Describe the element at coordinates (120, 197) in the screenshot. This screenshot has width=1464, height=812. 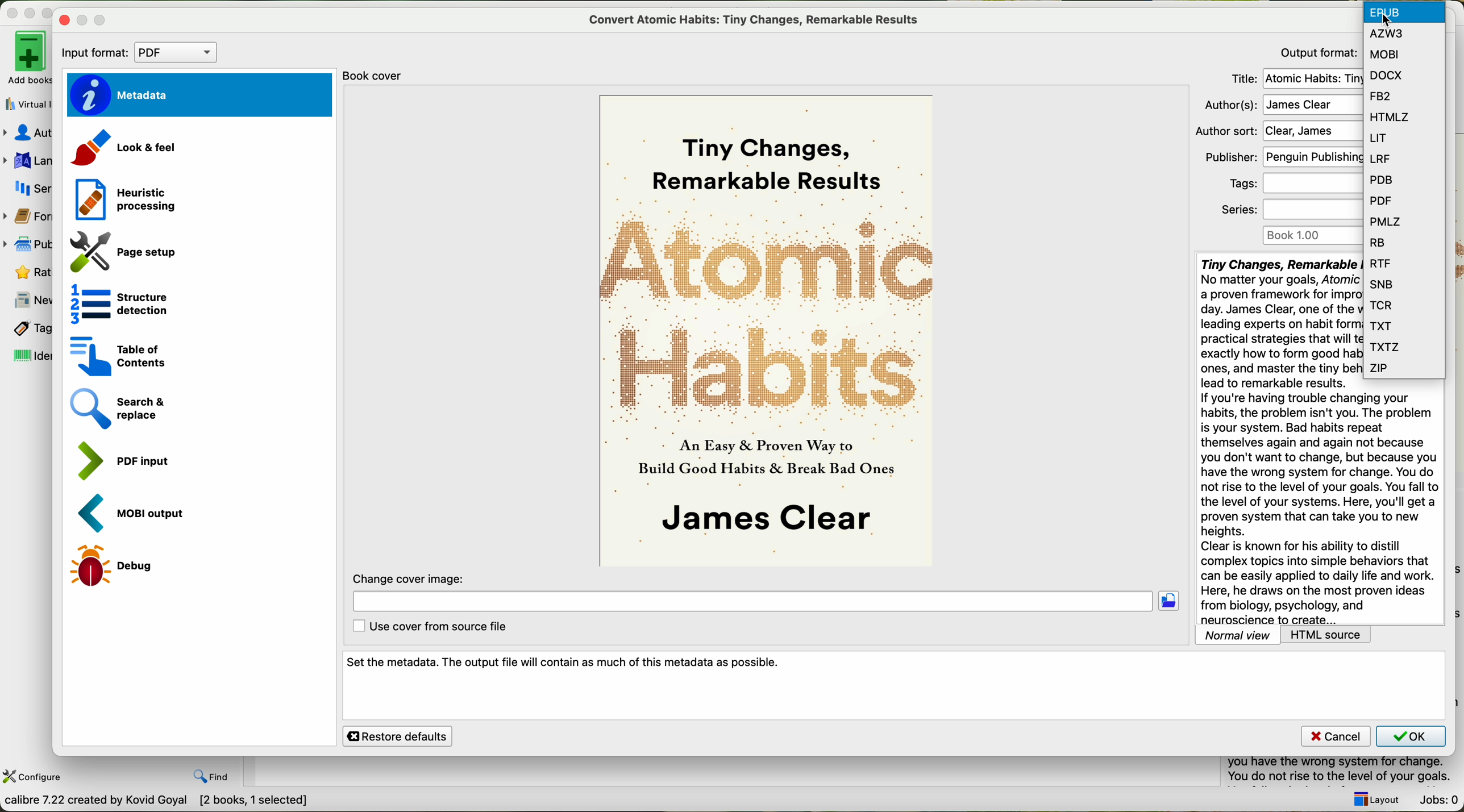
I see `heuristic processing` at that location.